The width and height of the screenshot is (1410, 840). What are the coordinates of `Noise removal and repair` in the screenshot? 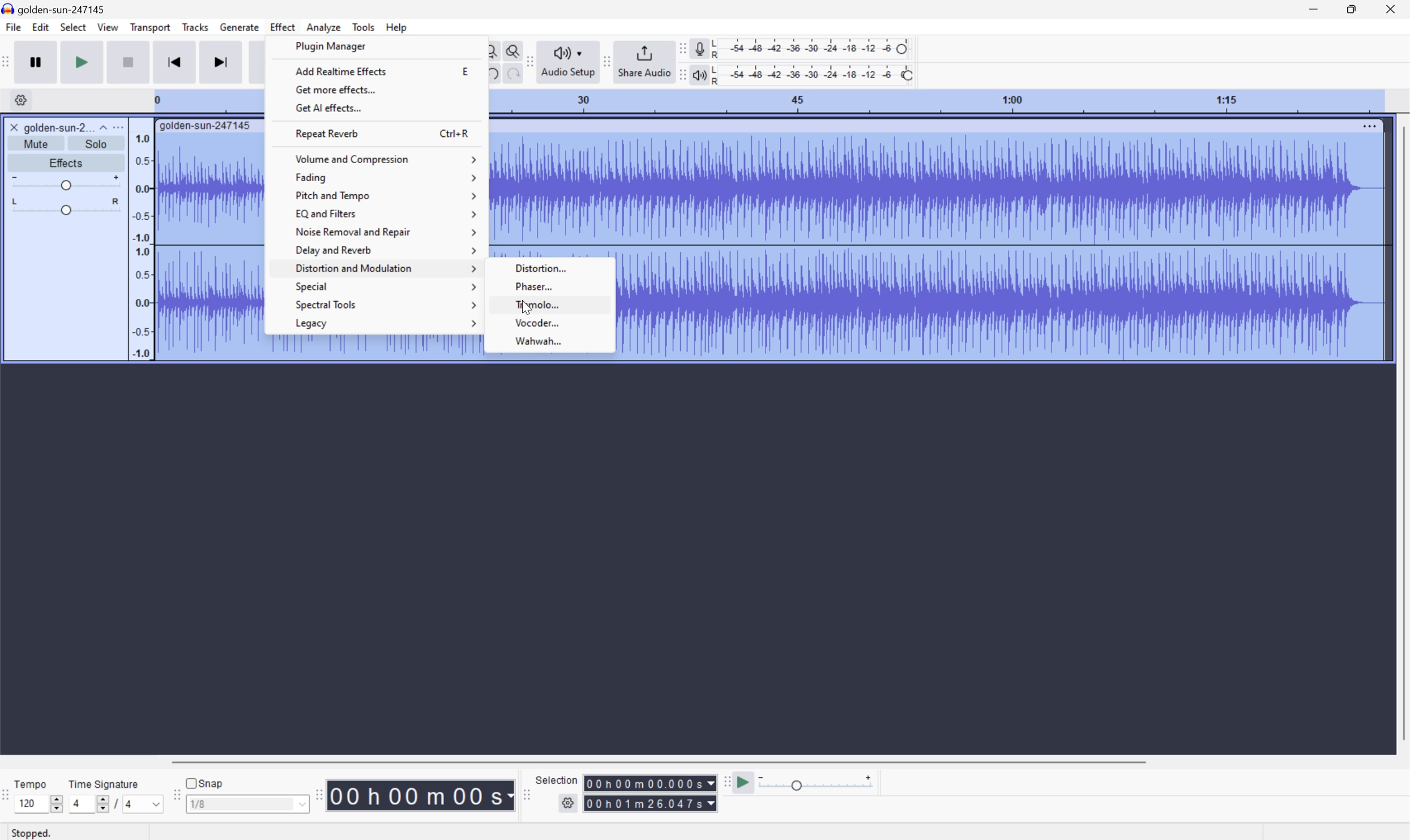 It's located at (386, 232).